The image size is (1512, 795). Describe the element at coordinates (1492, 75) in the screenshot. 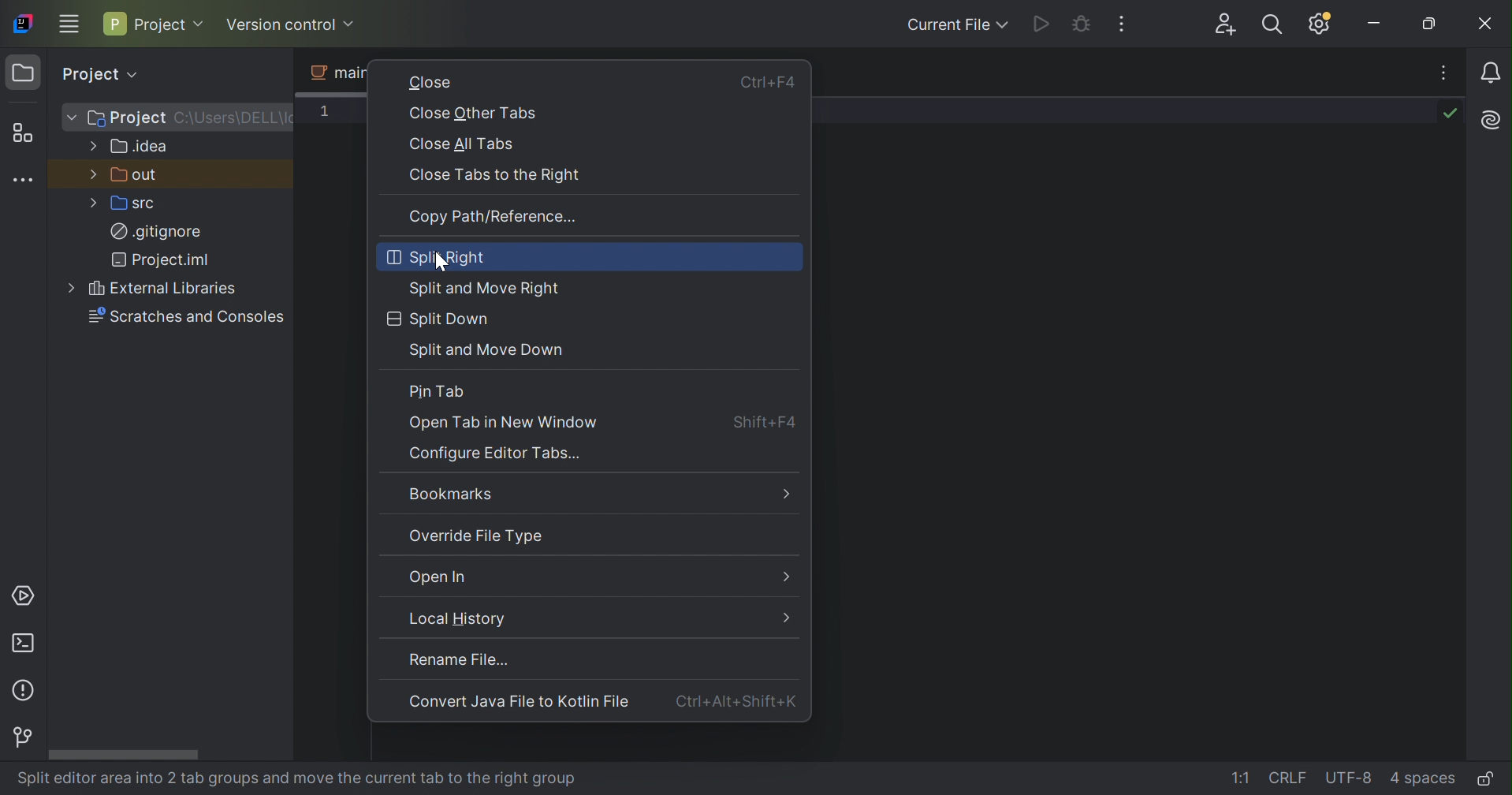

I see `Notifications` at that location.